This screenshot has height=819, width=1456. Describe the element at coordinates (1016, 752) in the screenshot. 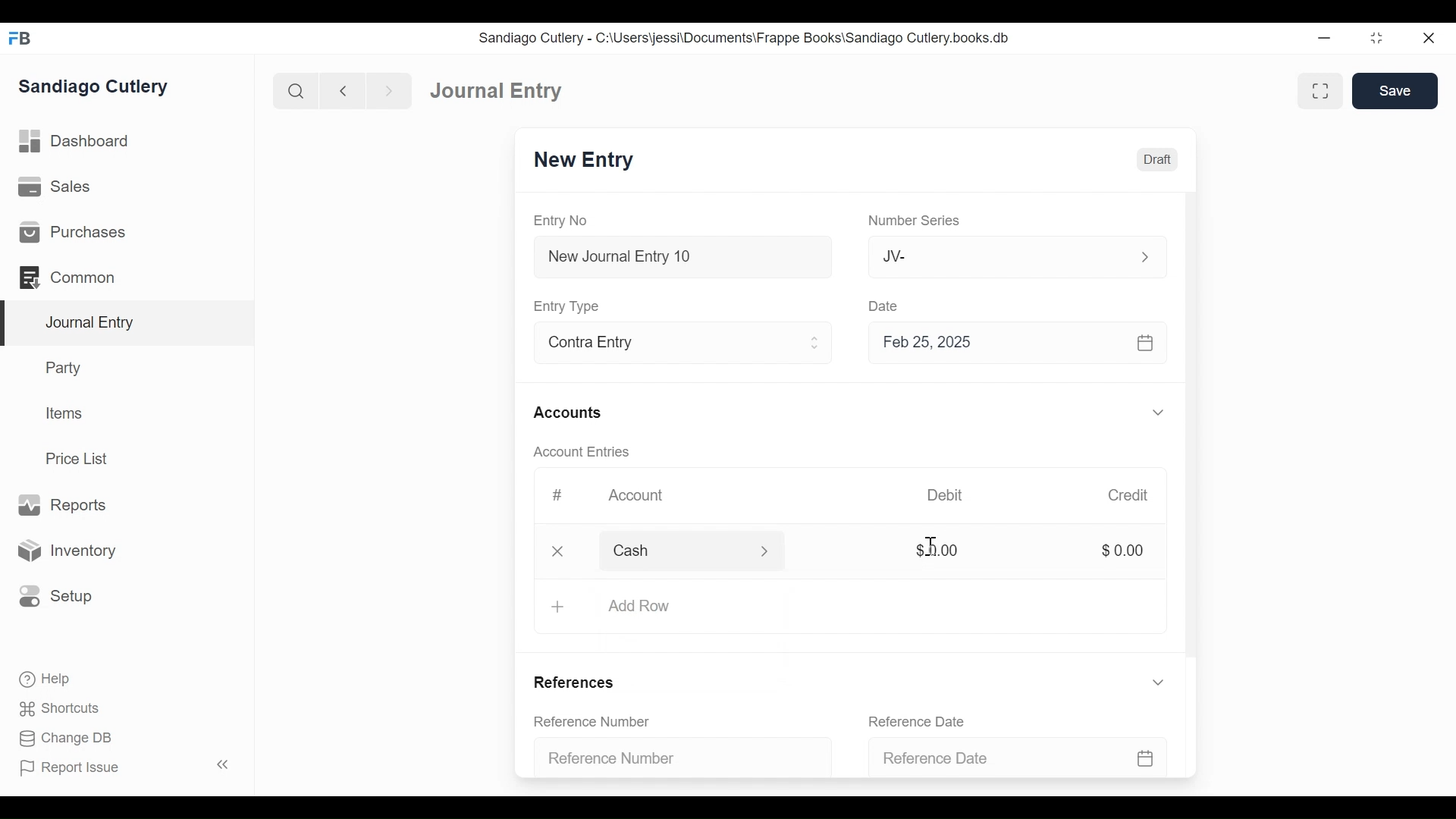

I see `Reference Date` at that location.